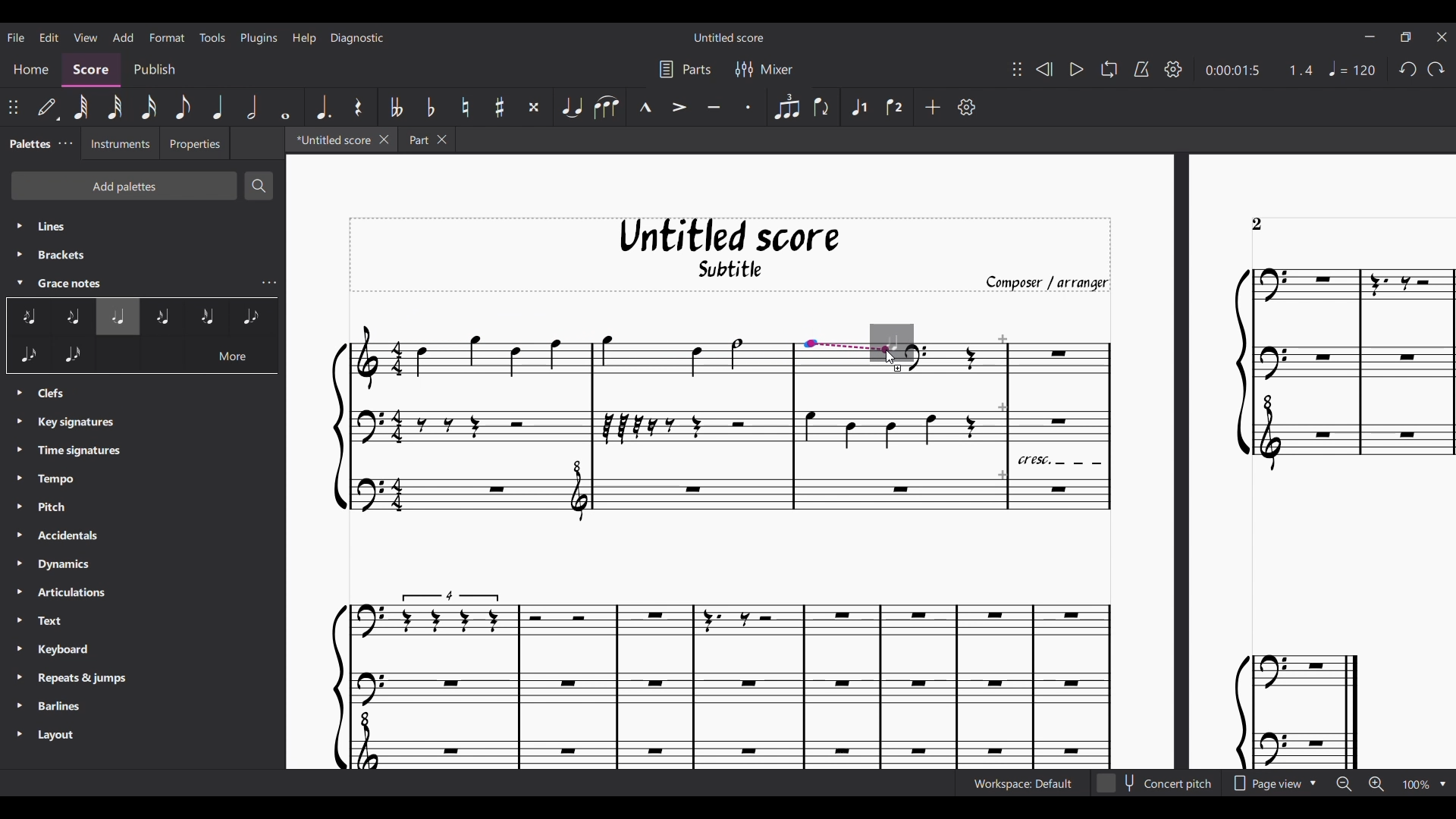 This screenshot has height=819, width=1456. What do you see at coordinates (259, 37) in the screenshot?
I see `Plugins menu` at bounding box center [259, 37].